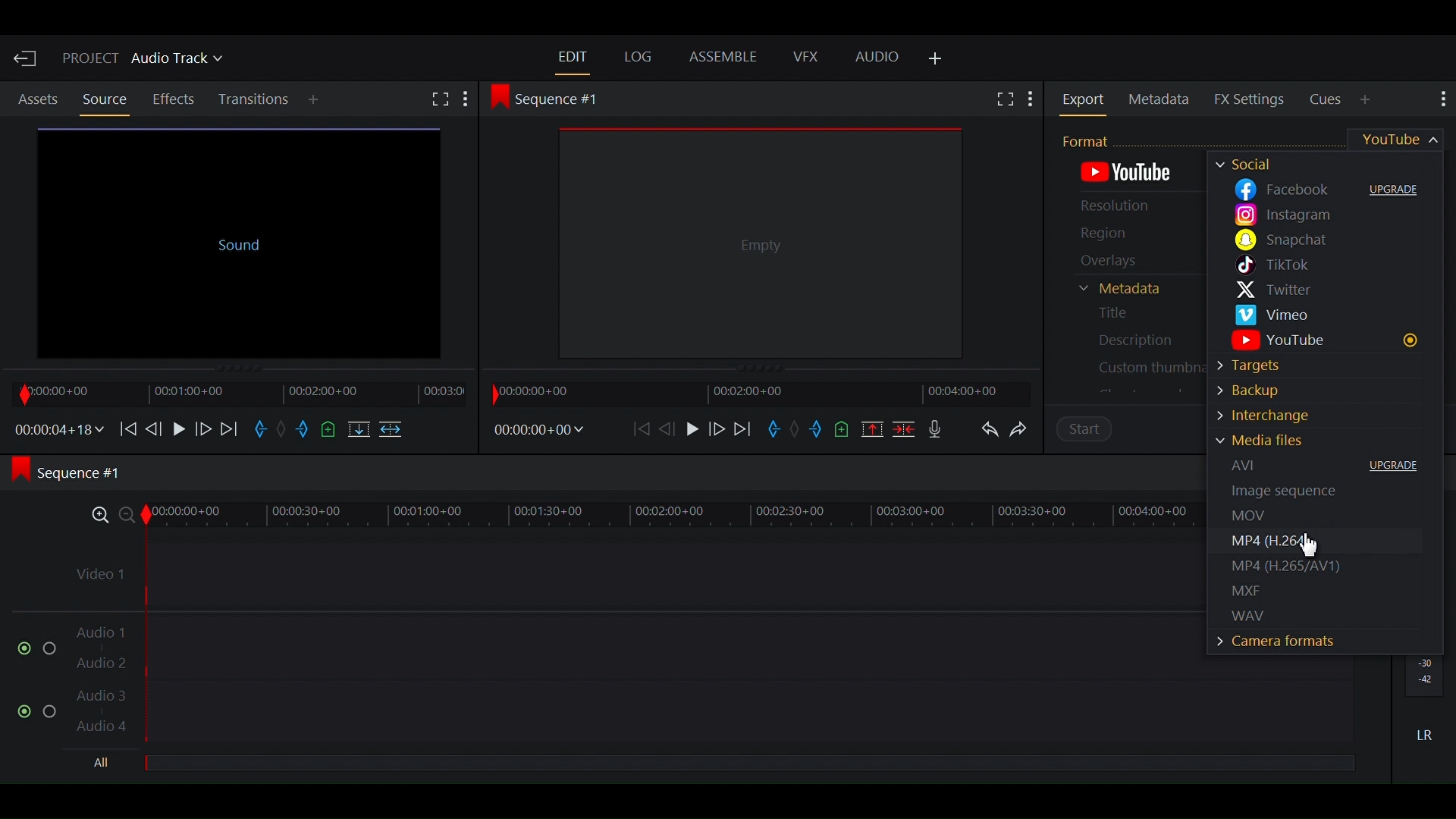  Describe the element at coordinates (1134, 338) in the screenshot. I see `Description` at that location.